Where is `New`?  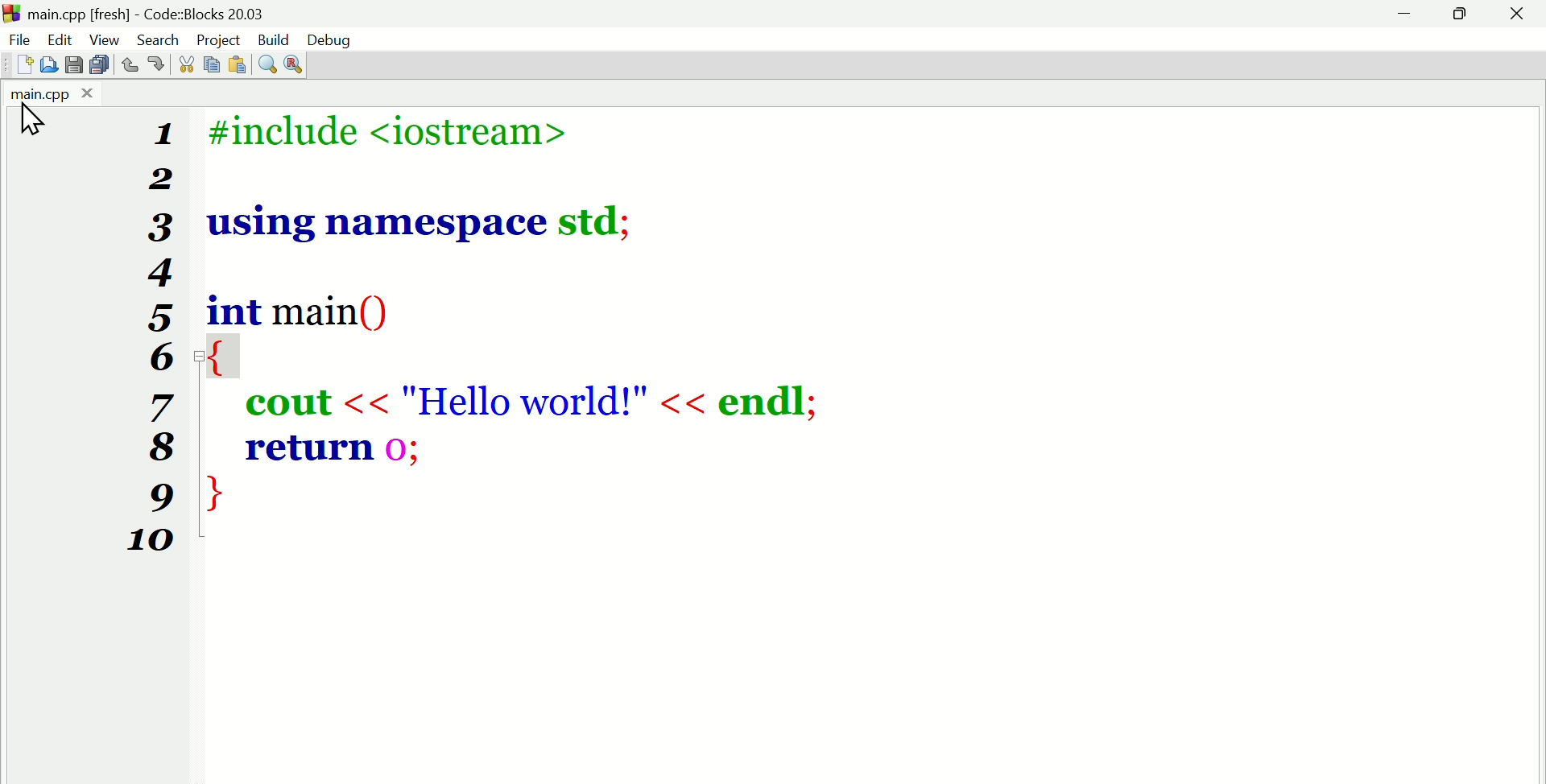
New is located at coordinates (48, 64).